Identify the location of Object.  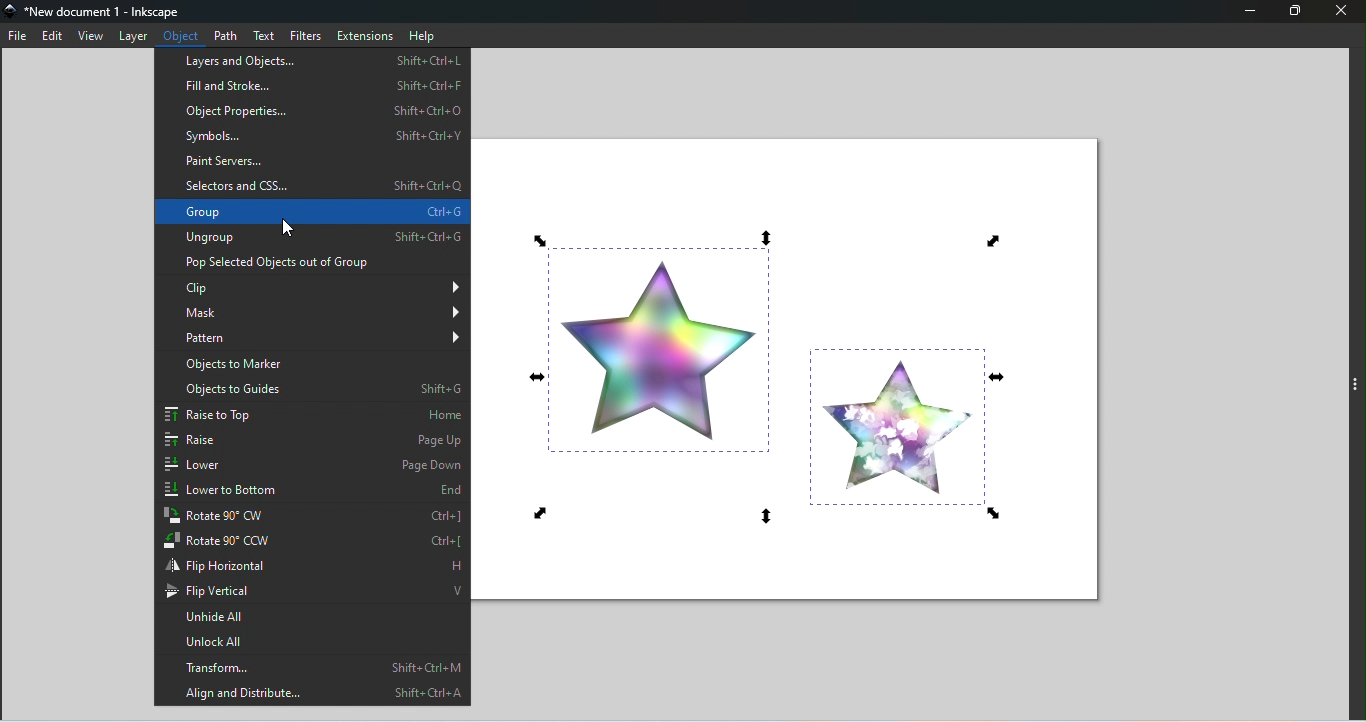
(185, 35).